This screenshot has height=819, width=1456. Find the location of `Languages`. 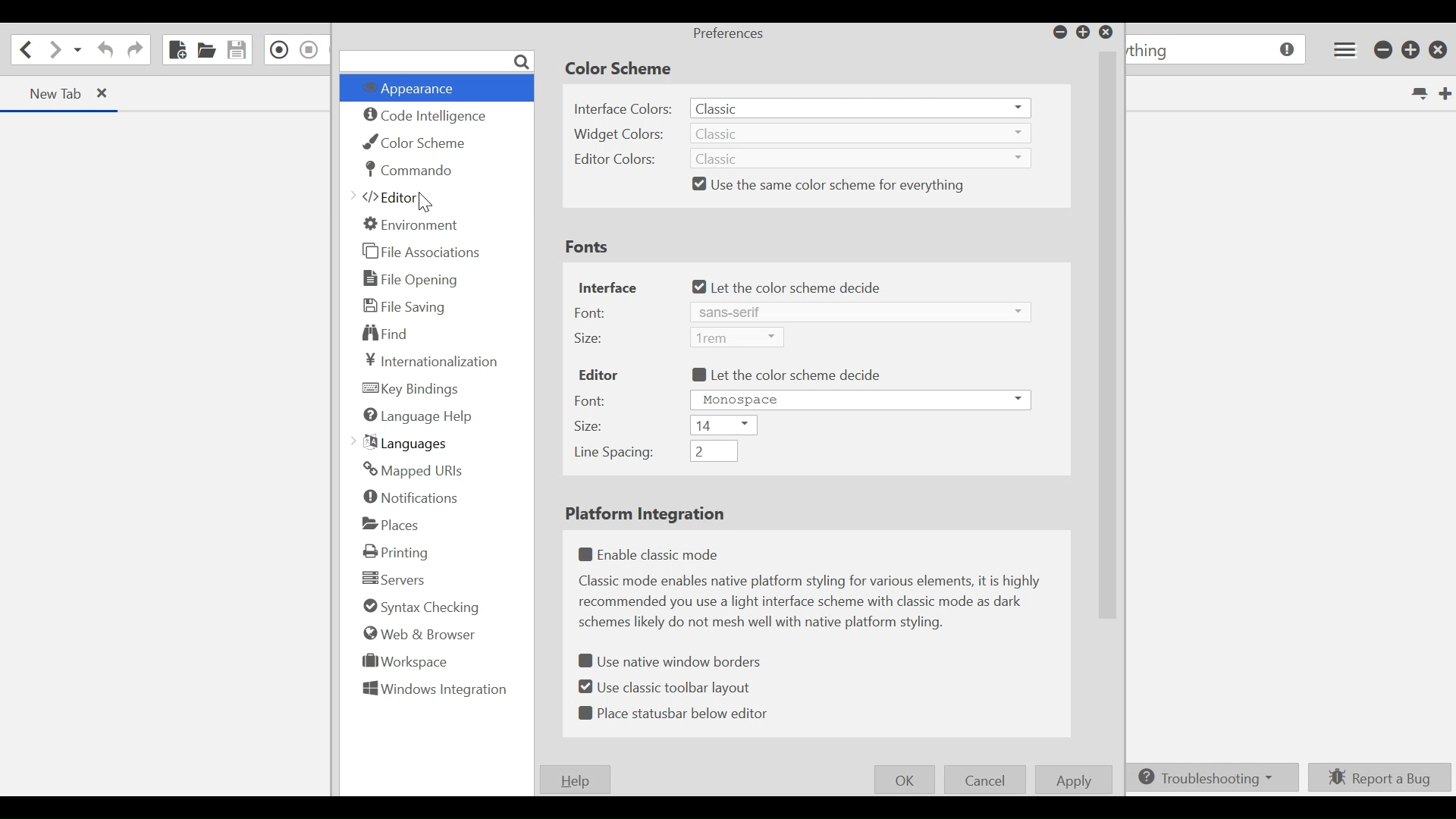

Languages is located at coordinates (402, 444).